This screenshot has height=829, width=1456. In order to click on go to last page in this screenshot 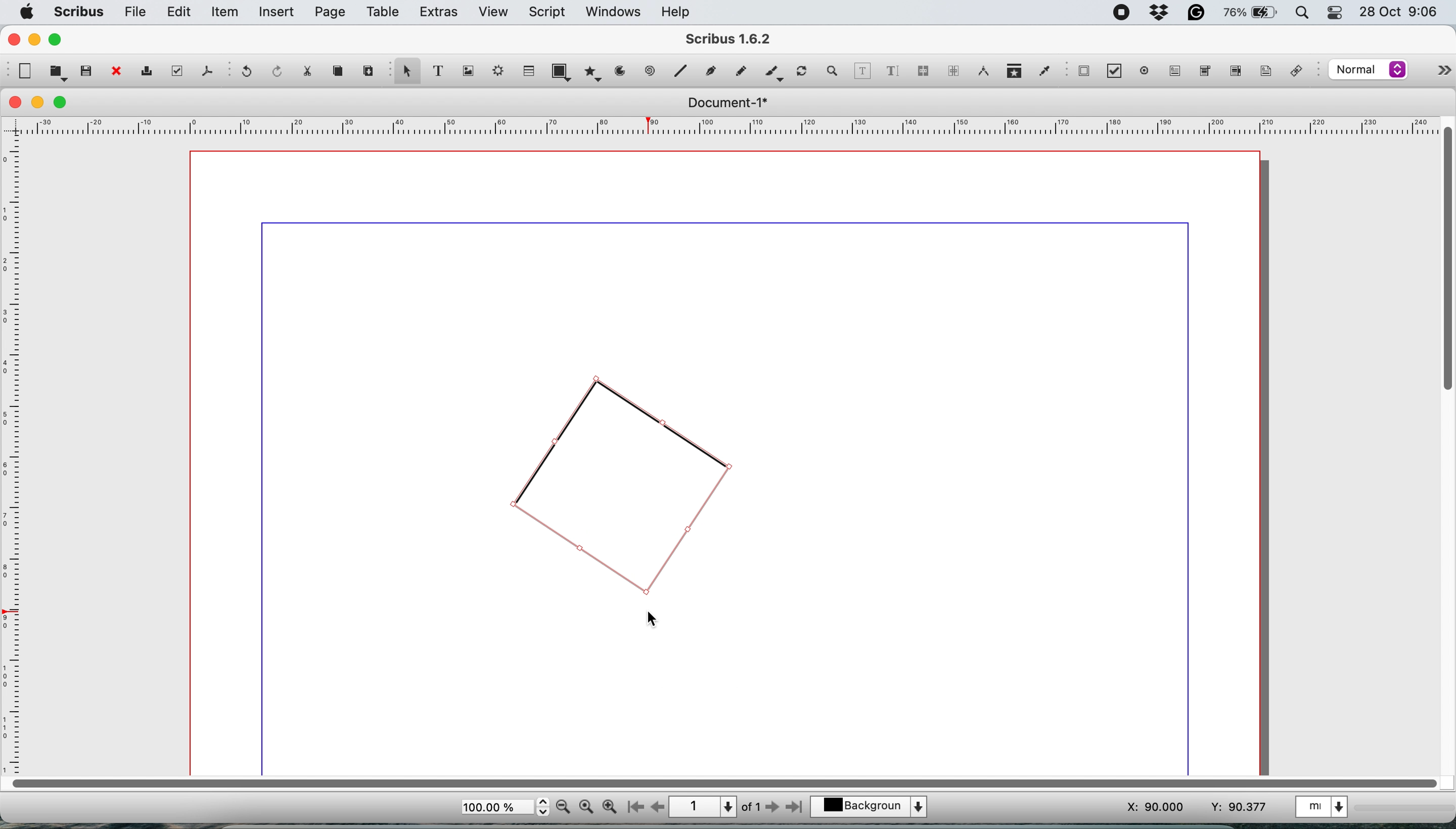, I will do `click(797, 809)`.